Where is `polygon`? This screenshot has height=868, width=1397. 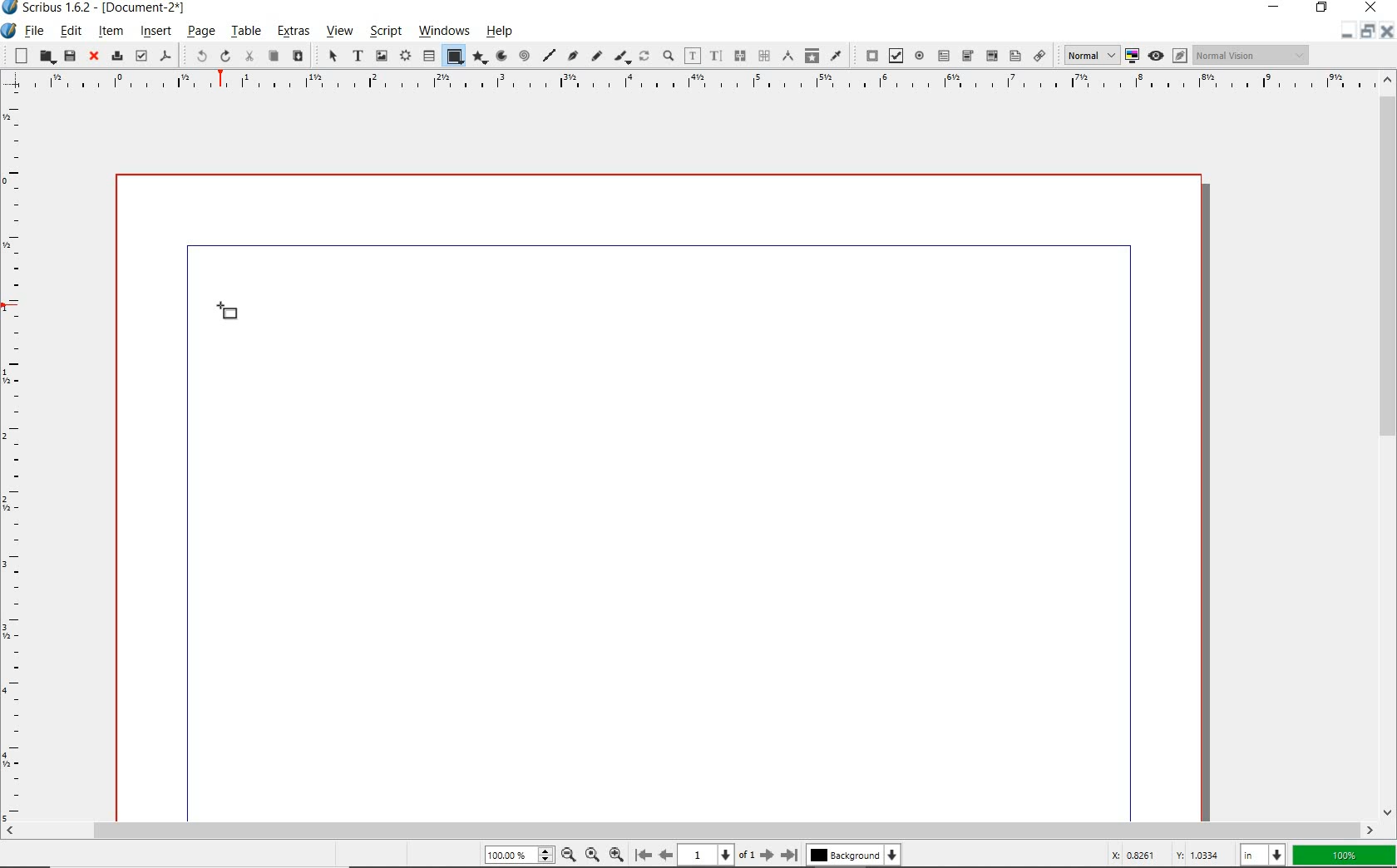 polygon is located at coordinates (481, 58).